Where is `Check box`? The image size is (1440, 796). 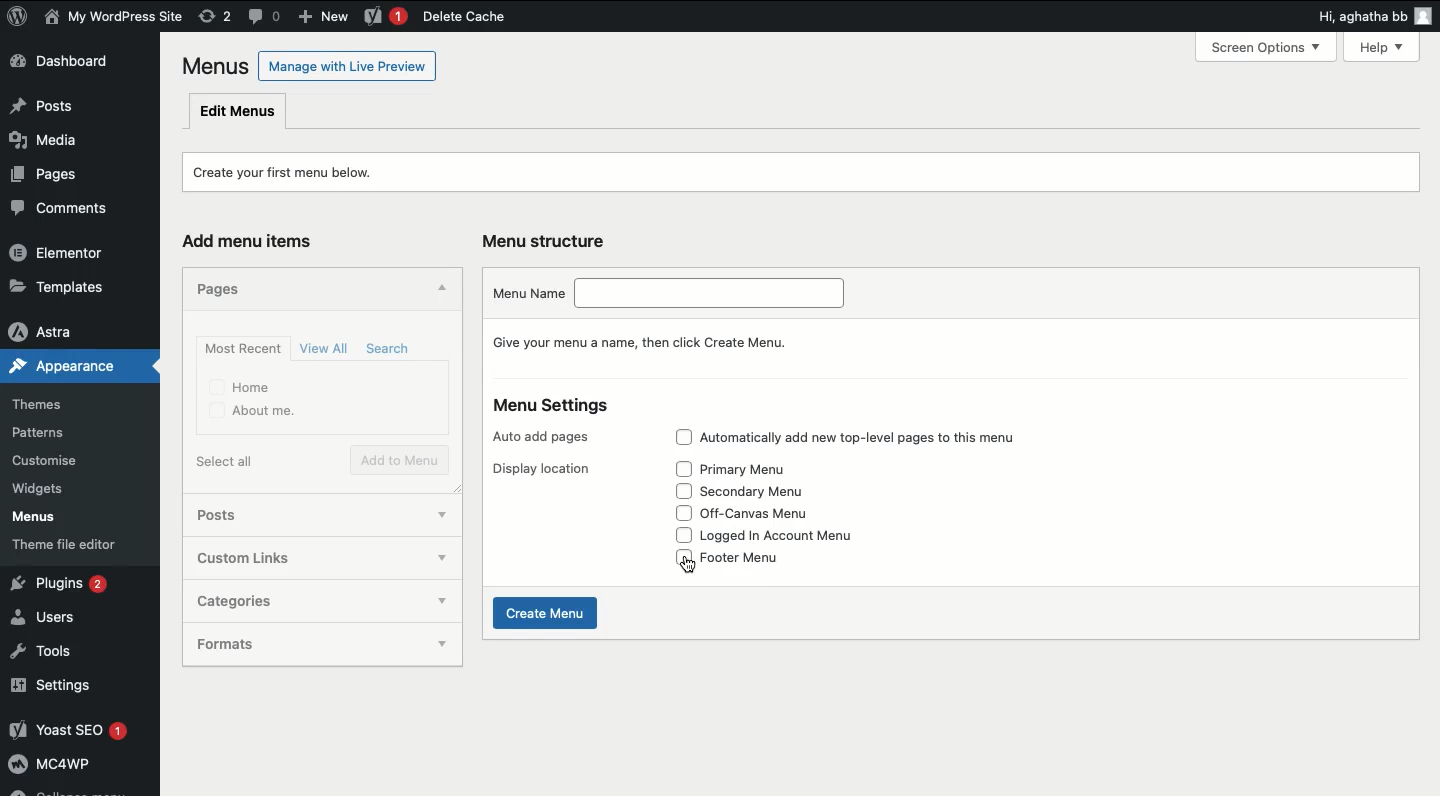 Check box is located at coordinates (682, 438).